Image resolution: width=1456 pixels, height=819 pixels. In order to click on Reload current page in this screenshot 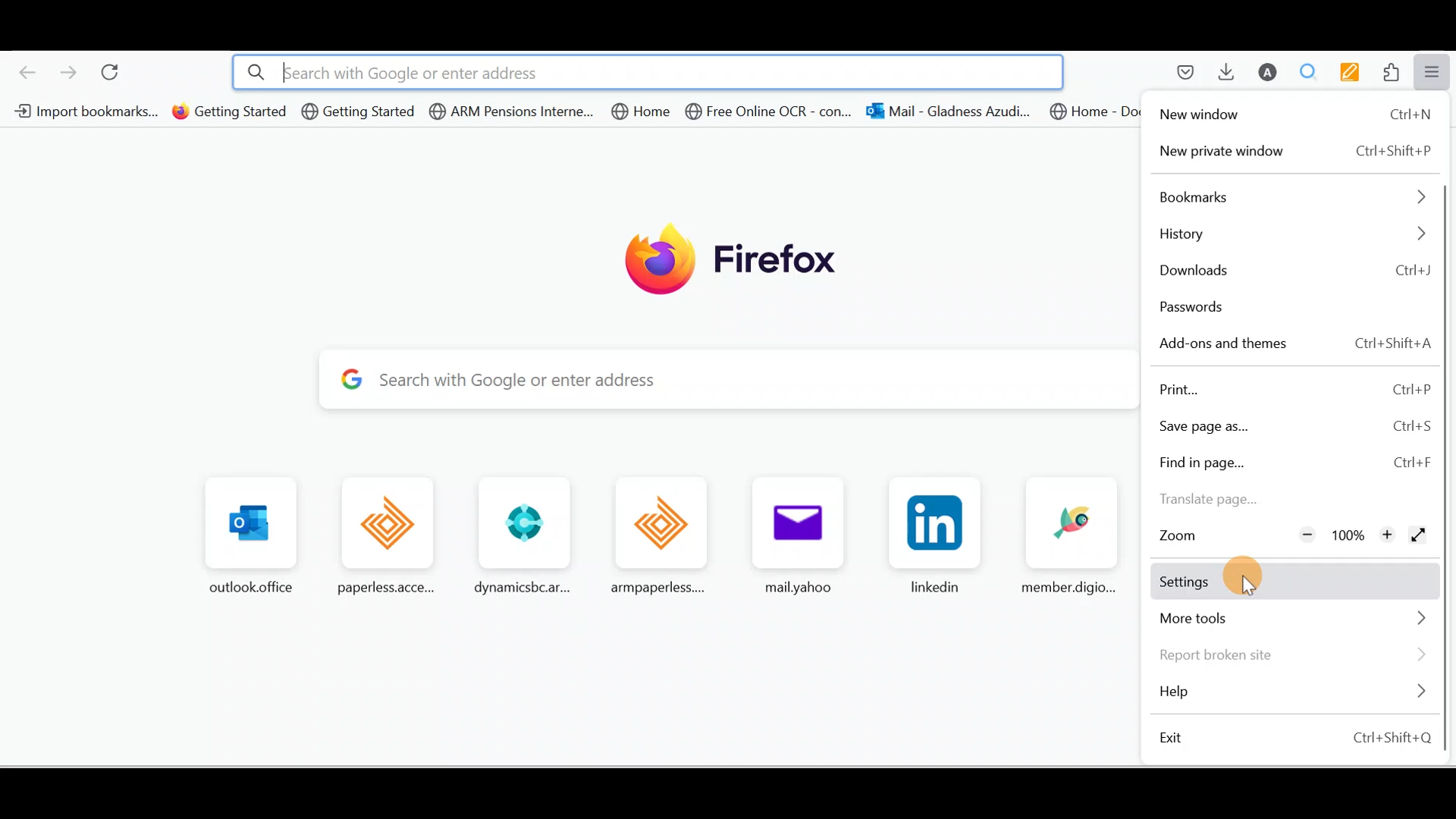, I will do `click(111, 73)`.